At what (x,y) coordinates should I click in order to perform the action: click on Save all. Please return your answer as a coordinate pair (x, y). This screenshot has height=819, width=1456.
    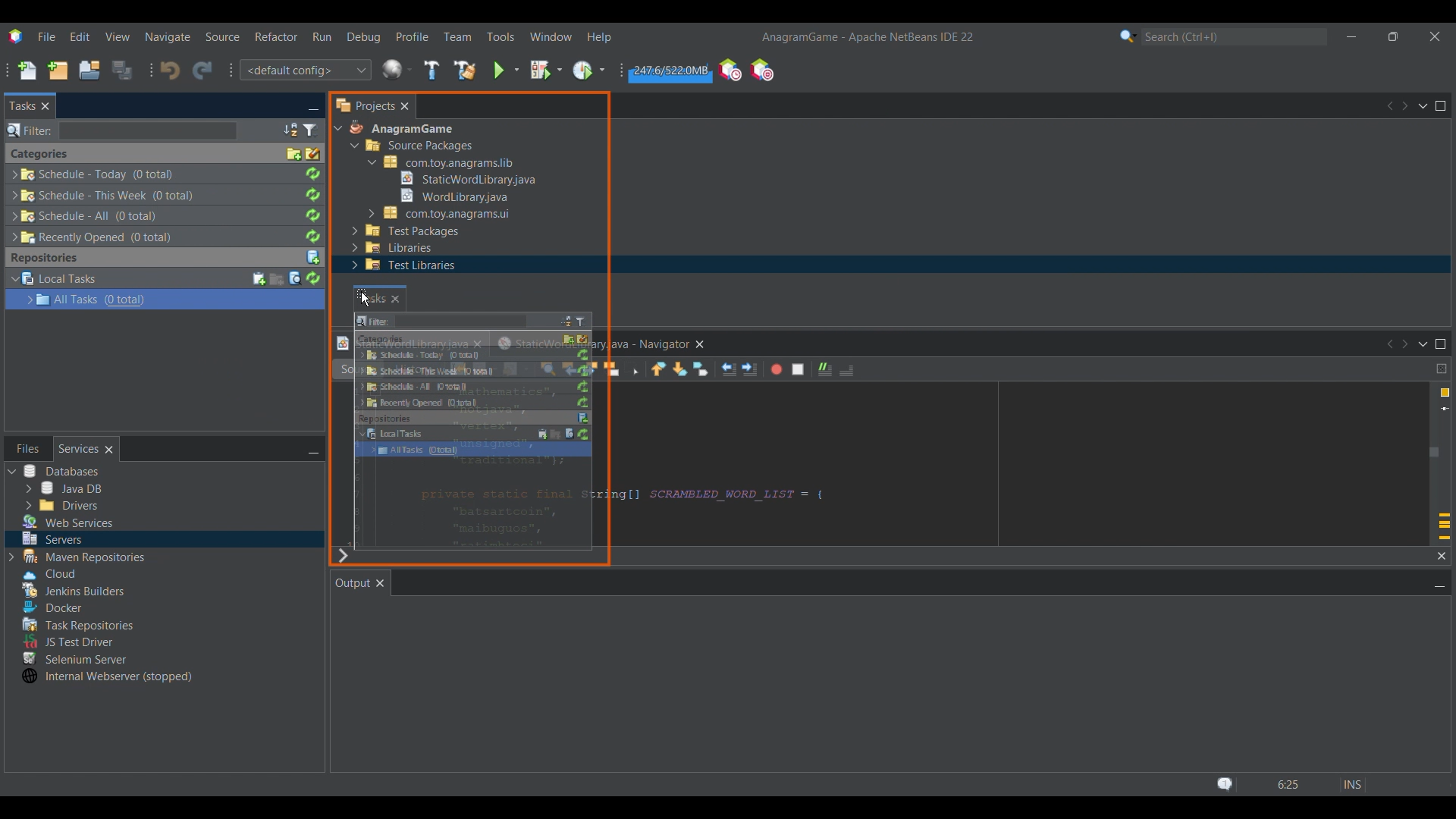
    Looking at the image, I should click on (123, 70).